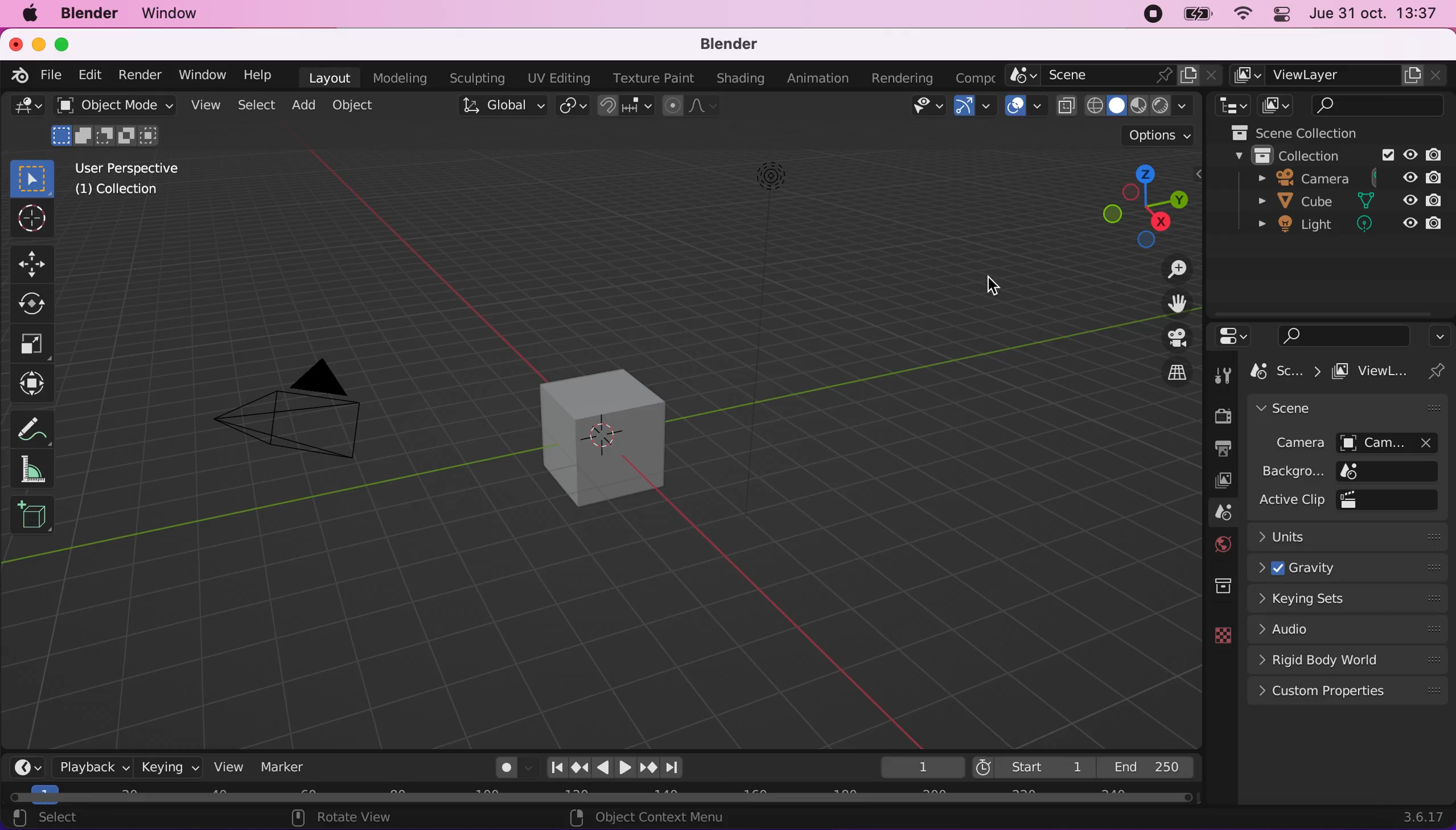 The height and width of the screenshot is (830, 1456). I want to click on maximize, so click(69, 43).